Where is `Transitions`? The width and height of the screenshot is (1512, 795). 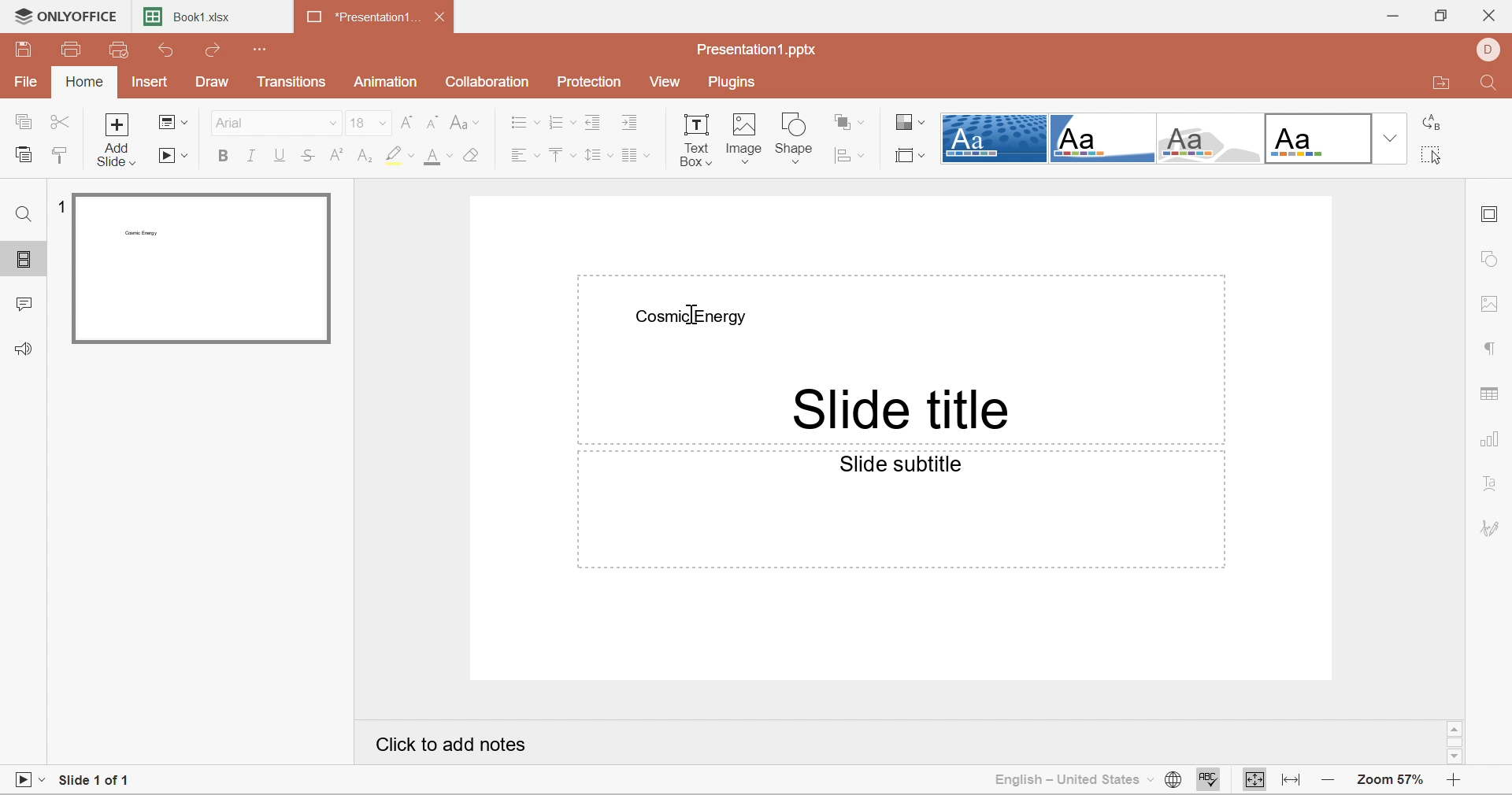
Transitions is located at coordinates (291, 82).